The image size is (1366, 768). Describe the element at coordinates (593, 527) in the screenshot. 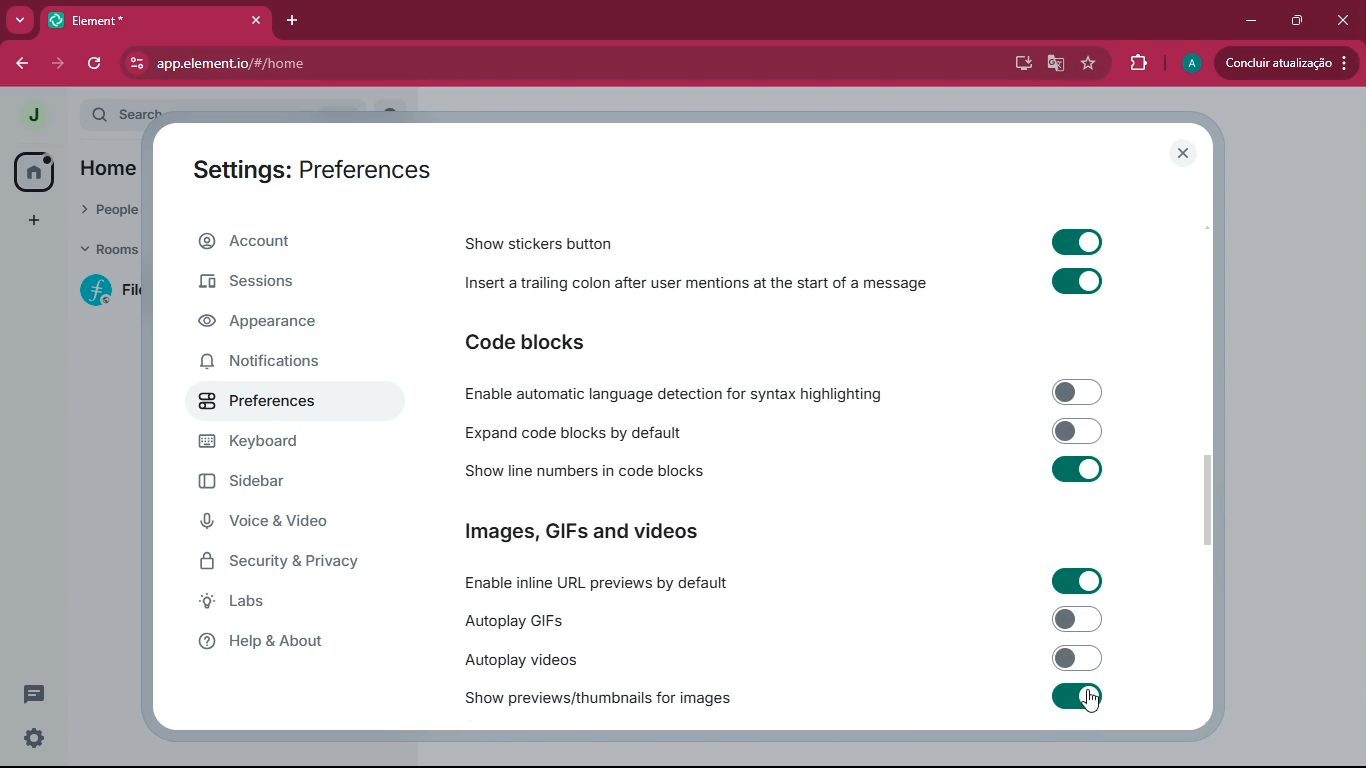

I see `Images, GIFs and Videos` at that location.